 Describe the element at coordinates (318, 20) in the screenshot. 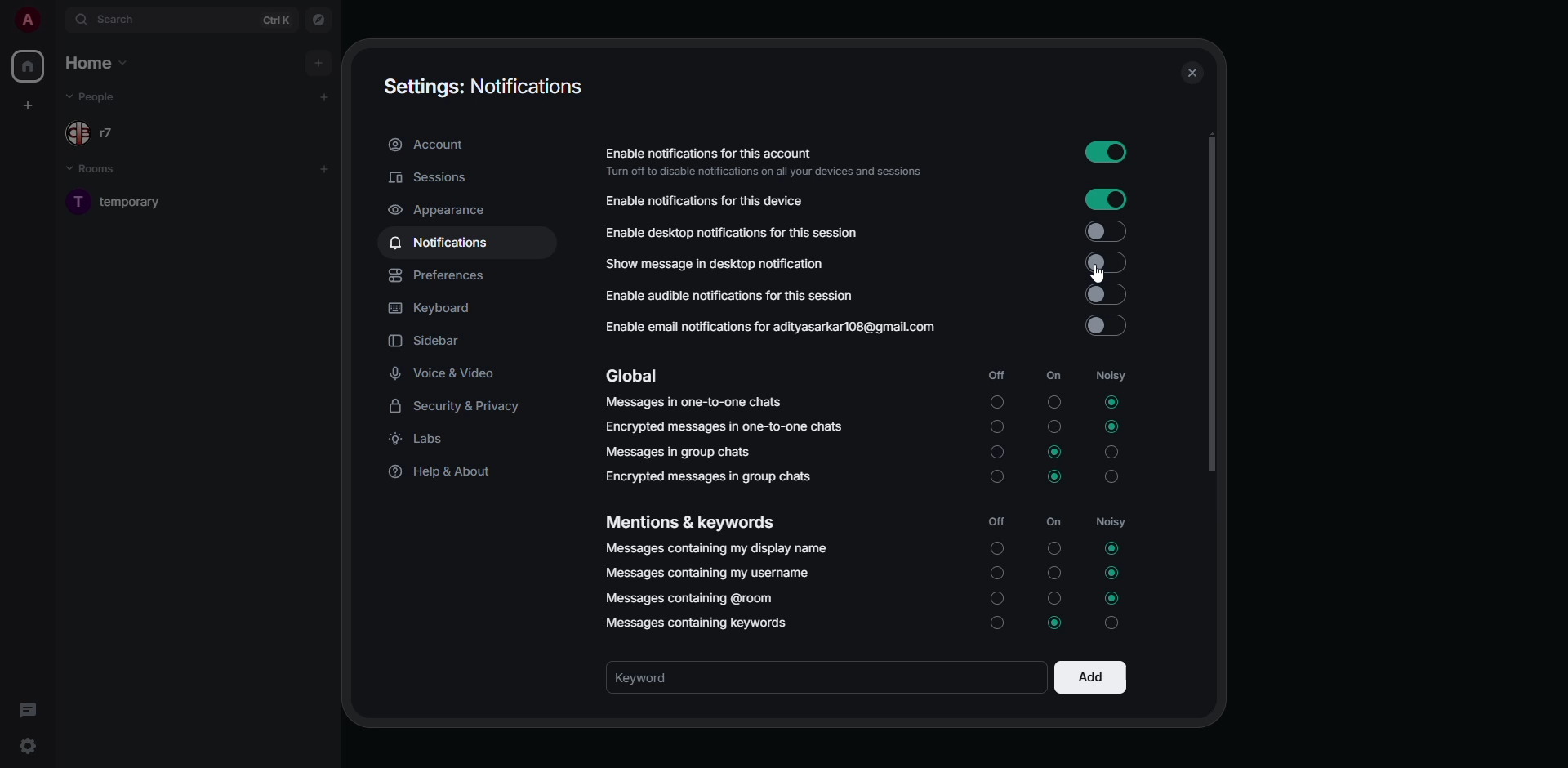

I see `navigator` at that location.